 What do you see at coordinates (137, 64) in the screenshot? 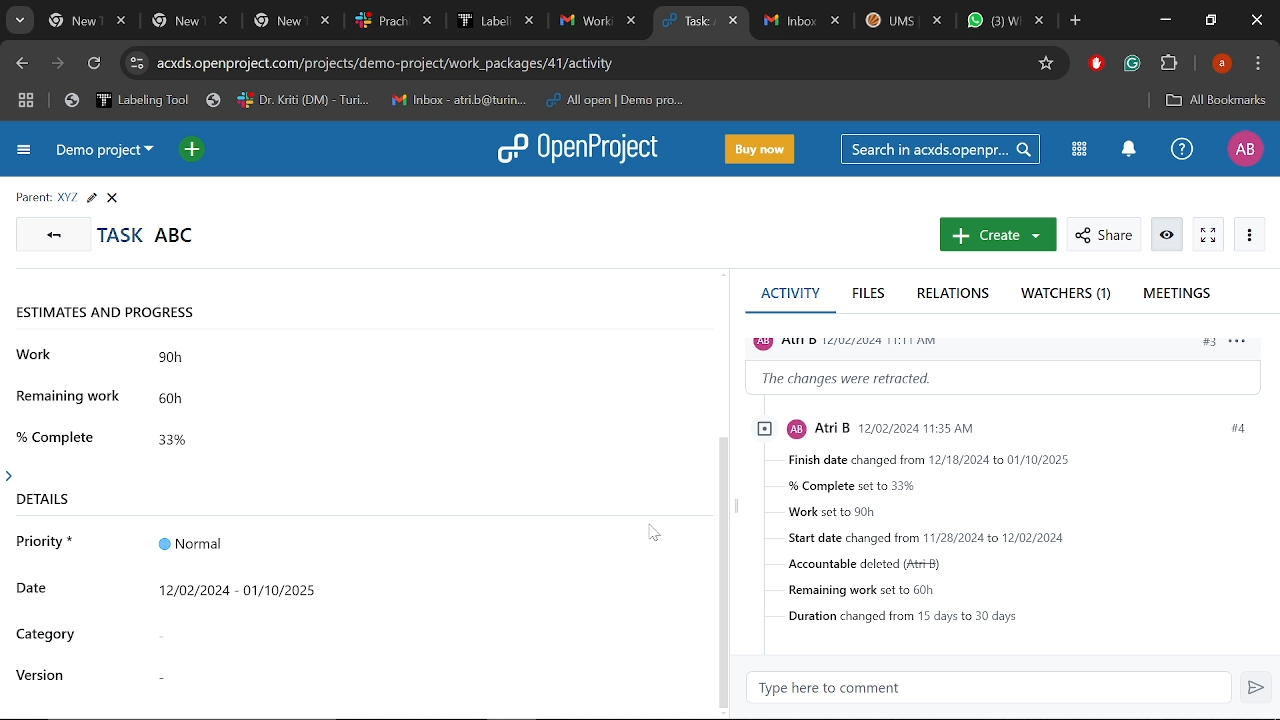
I see `Cite info` at bounding box center [137, 64].